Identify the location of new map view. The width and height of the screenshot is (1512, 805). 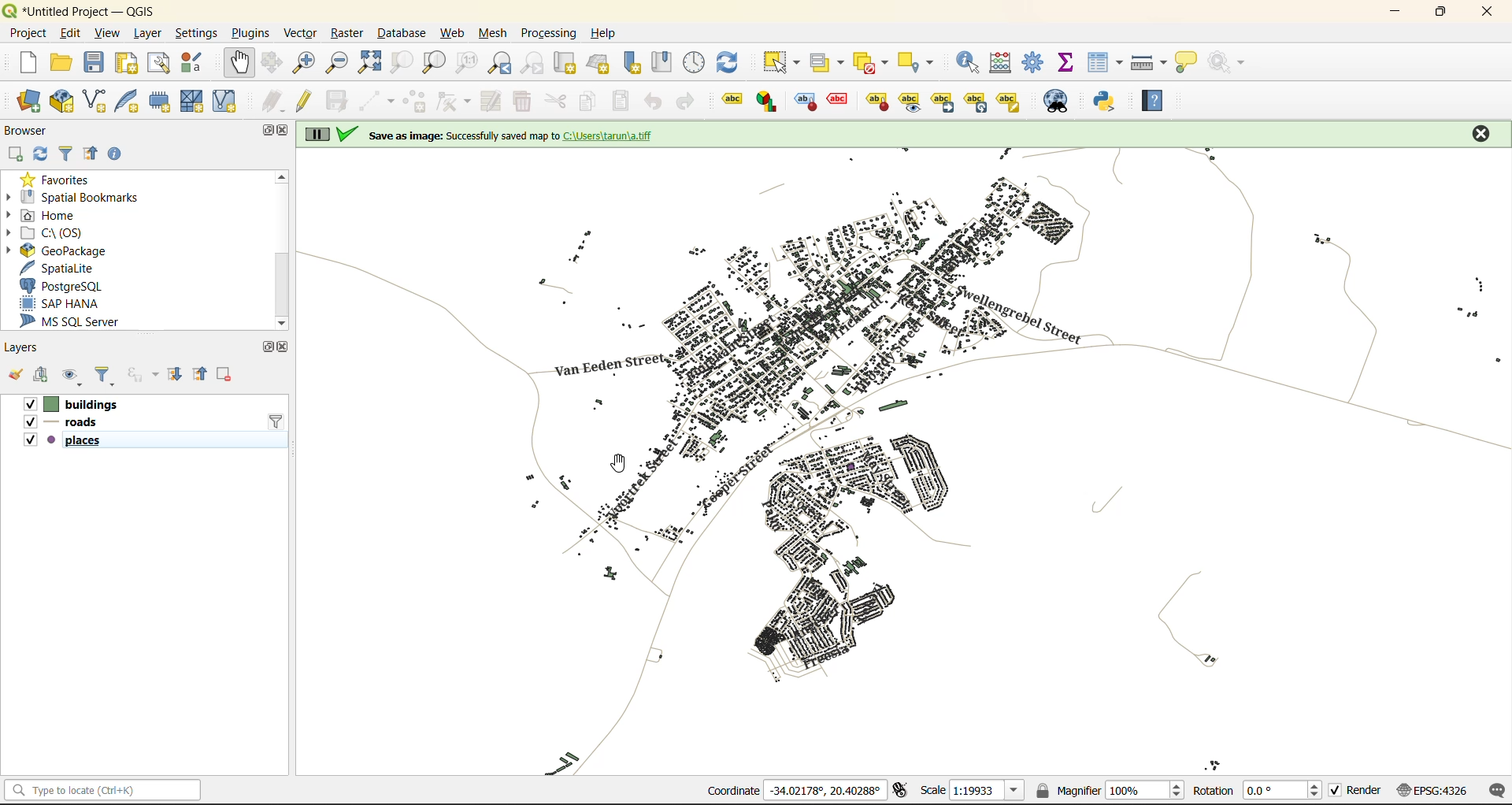
(563, 62).